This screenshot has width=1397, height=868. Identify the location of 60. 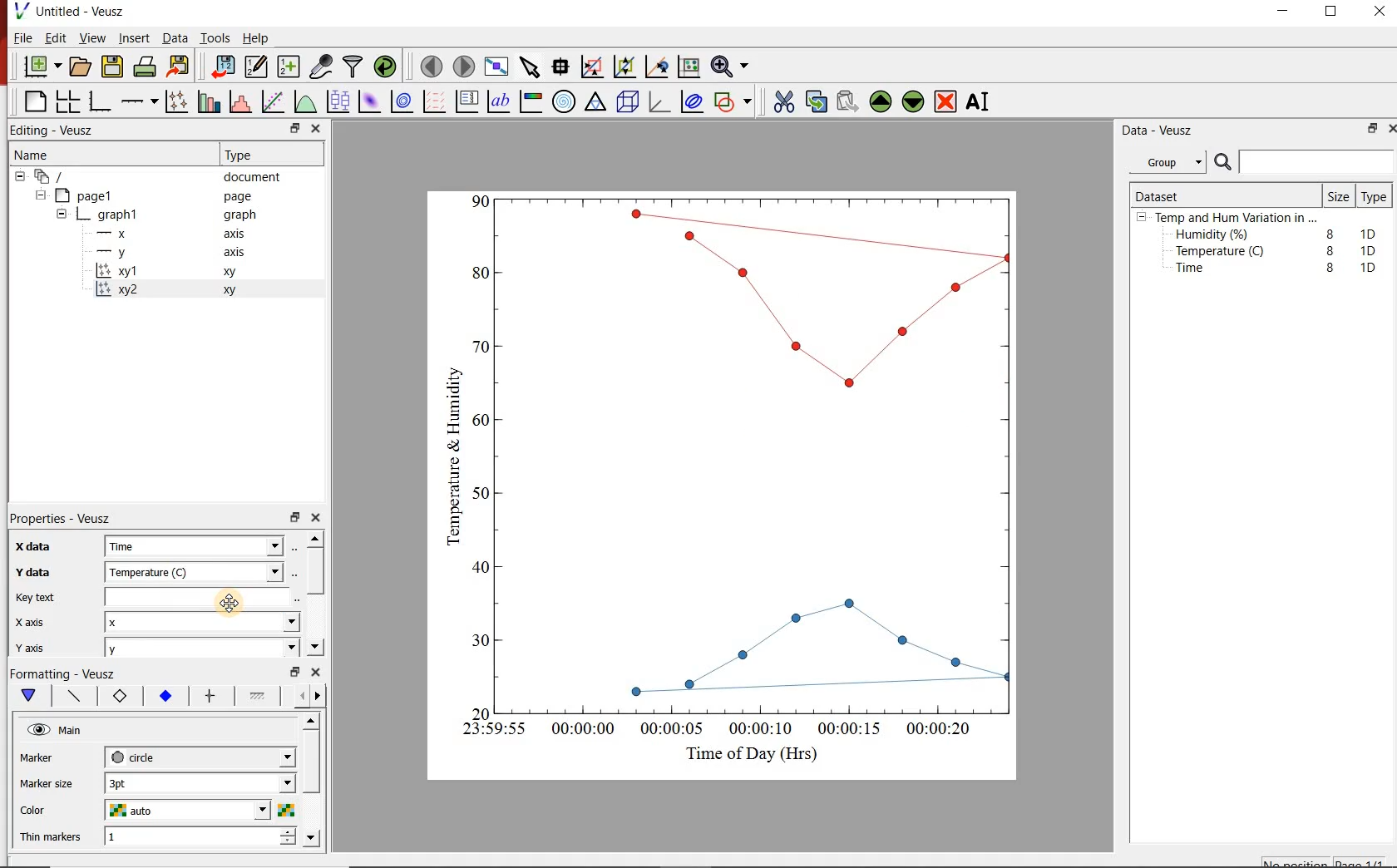
(481, 422).